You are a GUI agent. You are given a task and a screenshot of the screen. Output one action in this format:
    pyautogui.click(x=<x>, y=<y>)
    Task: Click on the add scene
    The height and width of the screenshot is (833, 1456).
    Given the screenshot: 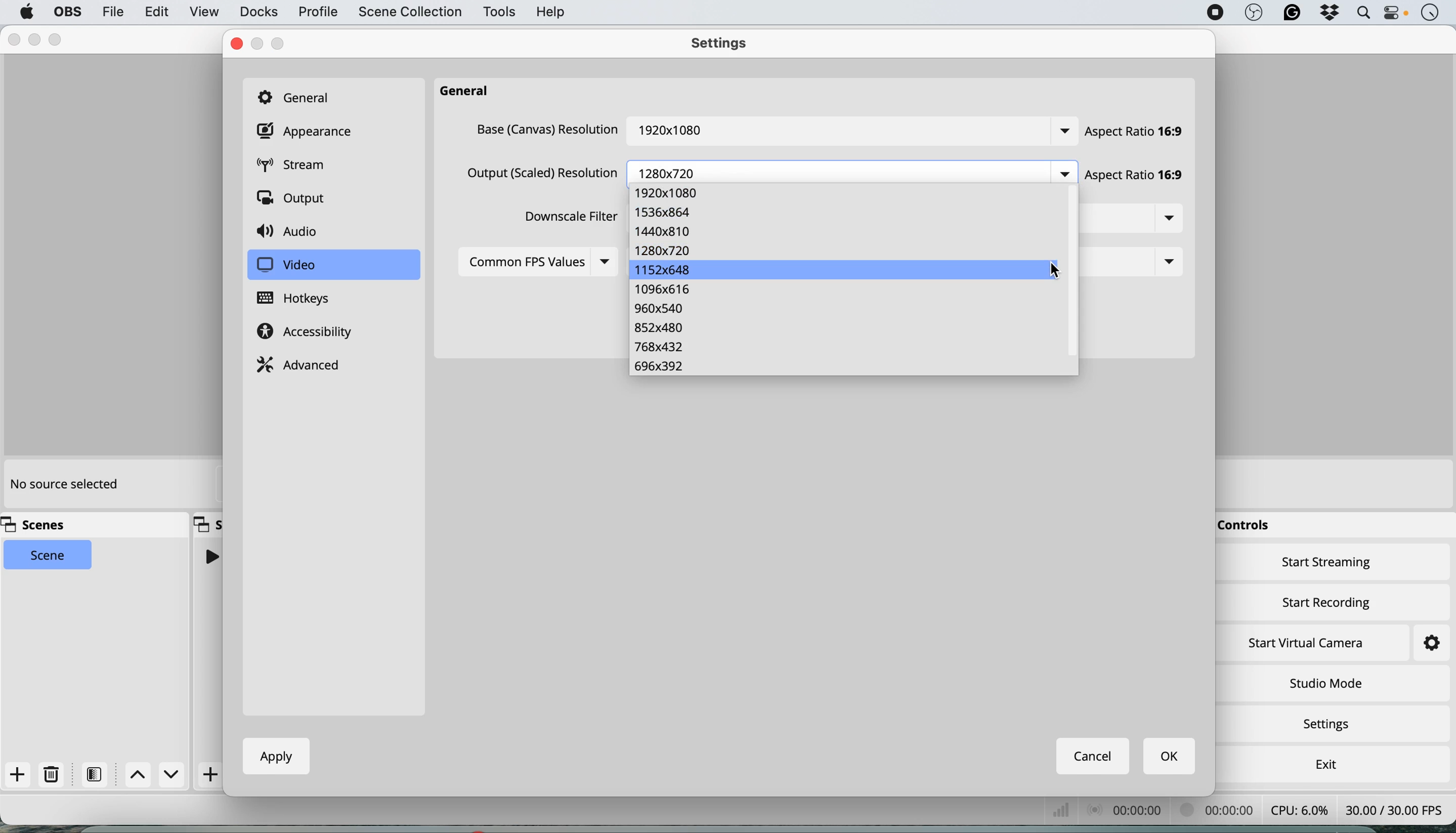 What is the action you would take?
    pyautogui.click(x=18, y=775)
    